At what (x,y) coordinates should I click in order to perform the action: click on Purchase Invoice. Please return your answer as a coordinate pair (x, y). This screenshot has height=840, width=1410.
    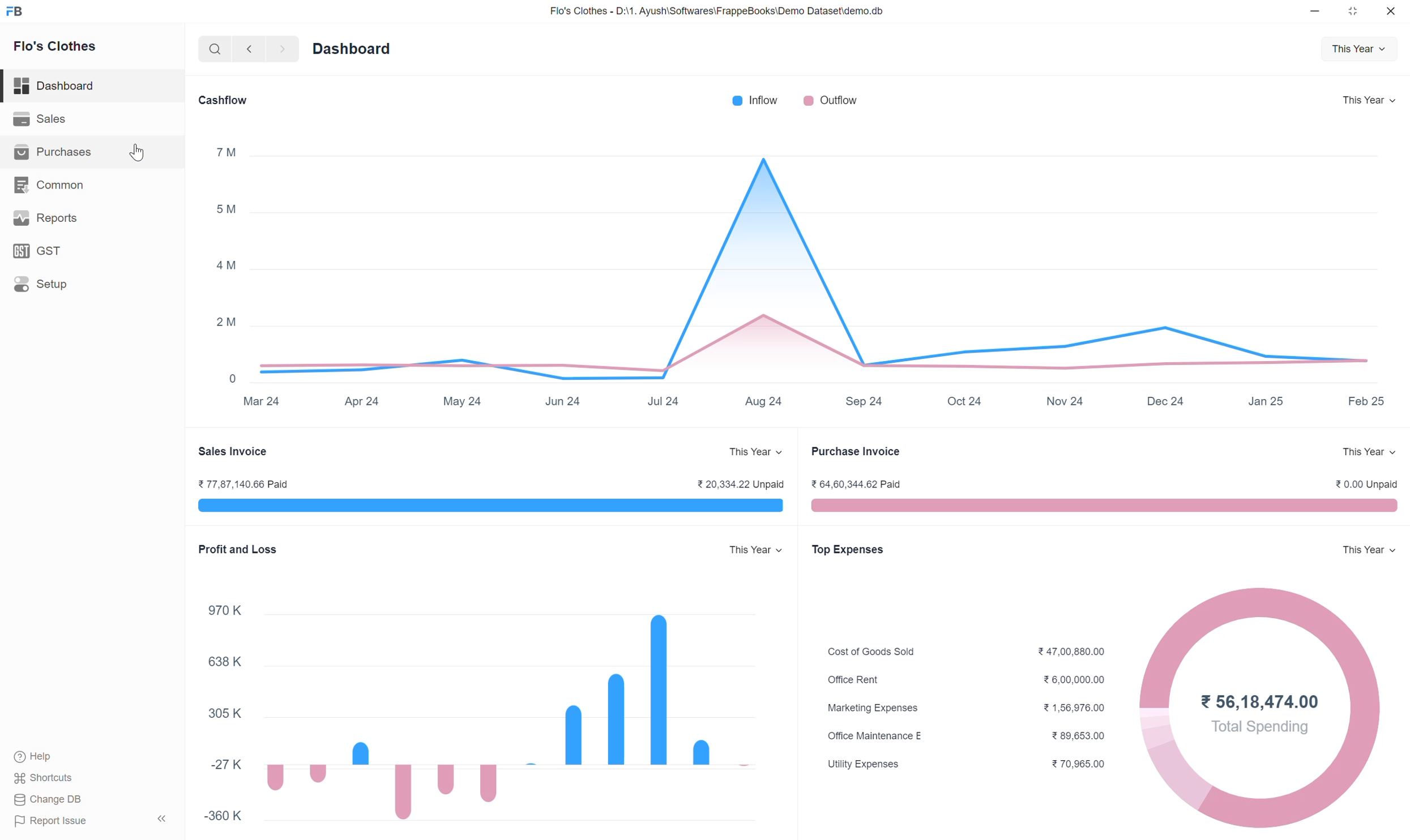
    Looking at the image, I should click on (855, 452).